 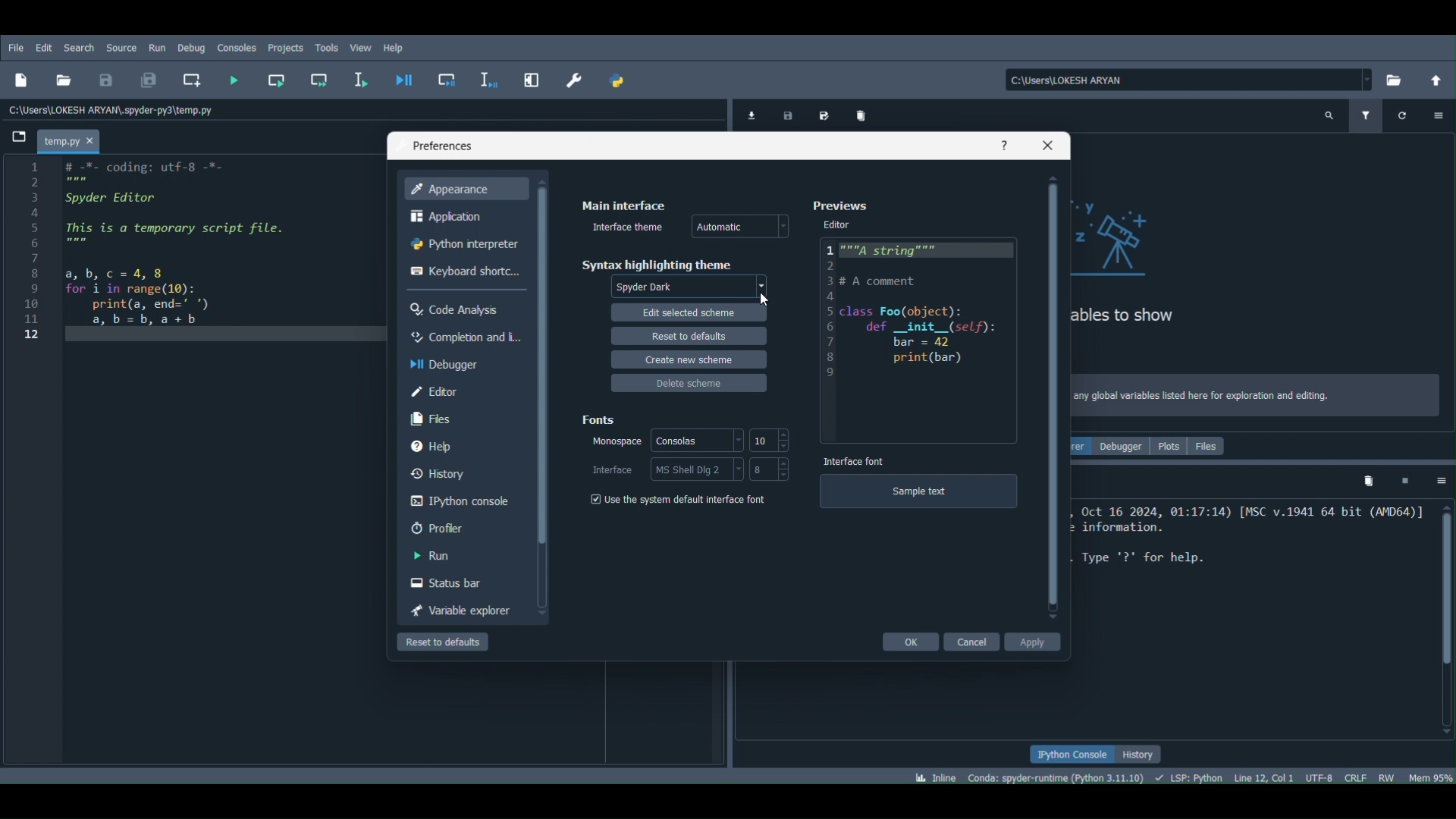 What do you see at coordinates (686, 359) in the screenshot?
I see `Create new scheme` at bounding box center [686, 359].